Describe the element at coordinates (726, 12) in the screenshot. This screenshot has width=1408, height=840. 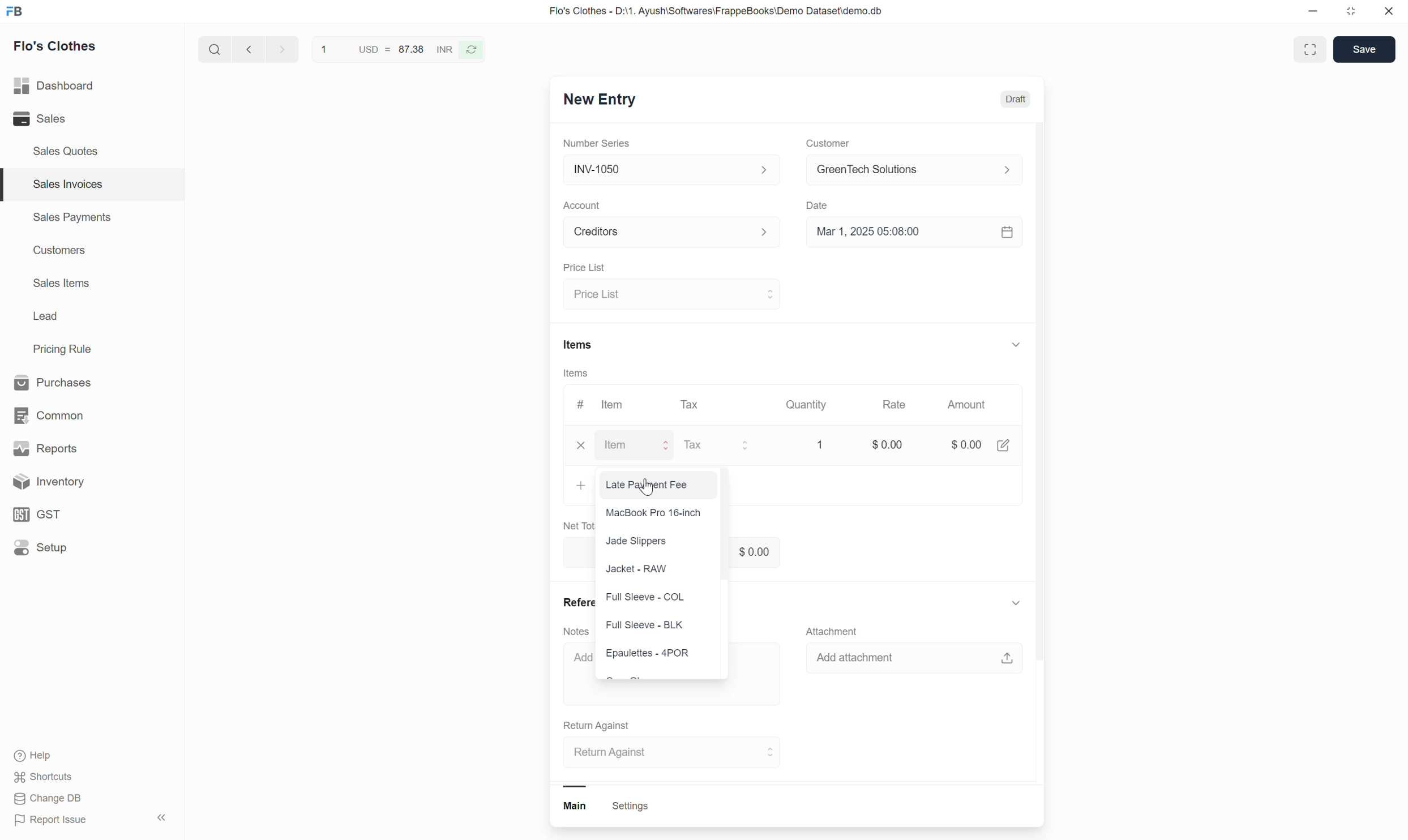
I see `Flo's Clothes - D:\1. Ayush\Softwares\FrappeBooks\Demo Dataset\demo.db` at that location.